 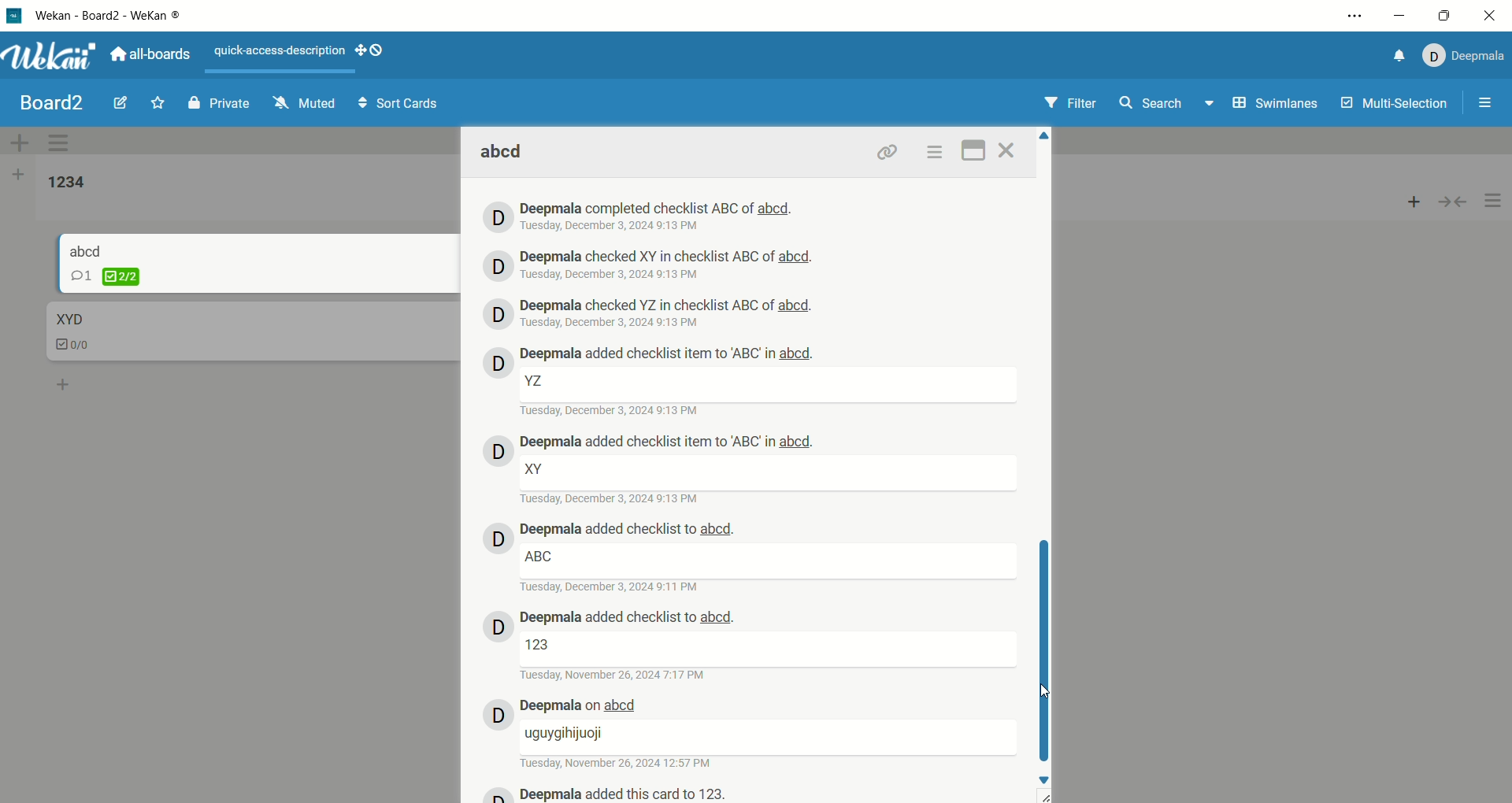 What do you see at coordinates (305, 102) in the screenshot?
I see `muted` at bounding box center [305, 102].